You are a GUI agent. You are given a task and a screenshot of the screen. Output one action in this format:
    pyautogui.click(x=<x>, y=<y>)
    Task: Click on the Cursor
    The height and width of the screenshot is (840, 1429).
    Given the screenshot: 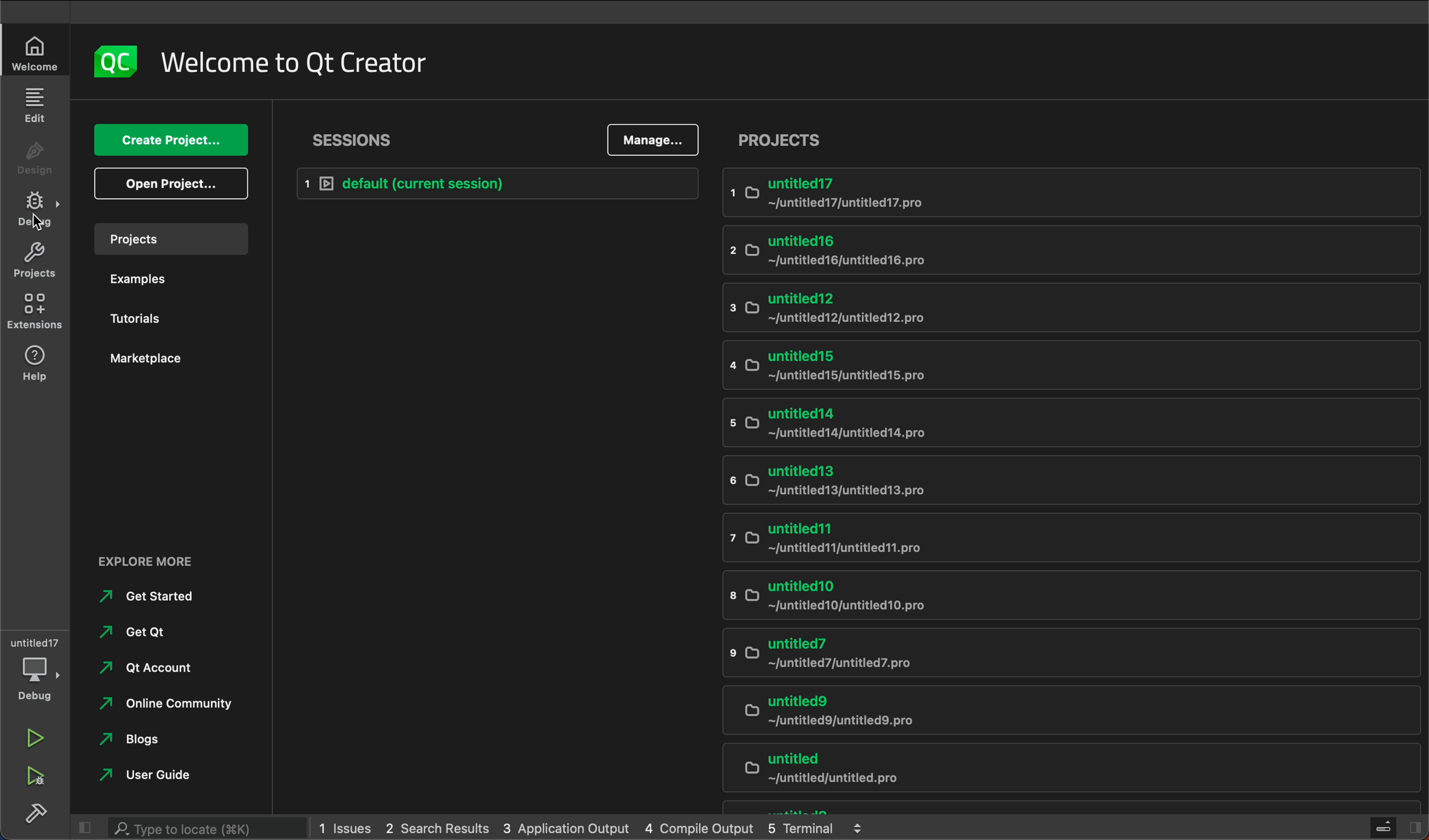 What is the action you would take?
    pyautogui.click(x=37, y=223)
    